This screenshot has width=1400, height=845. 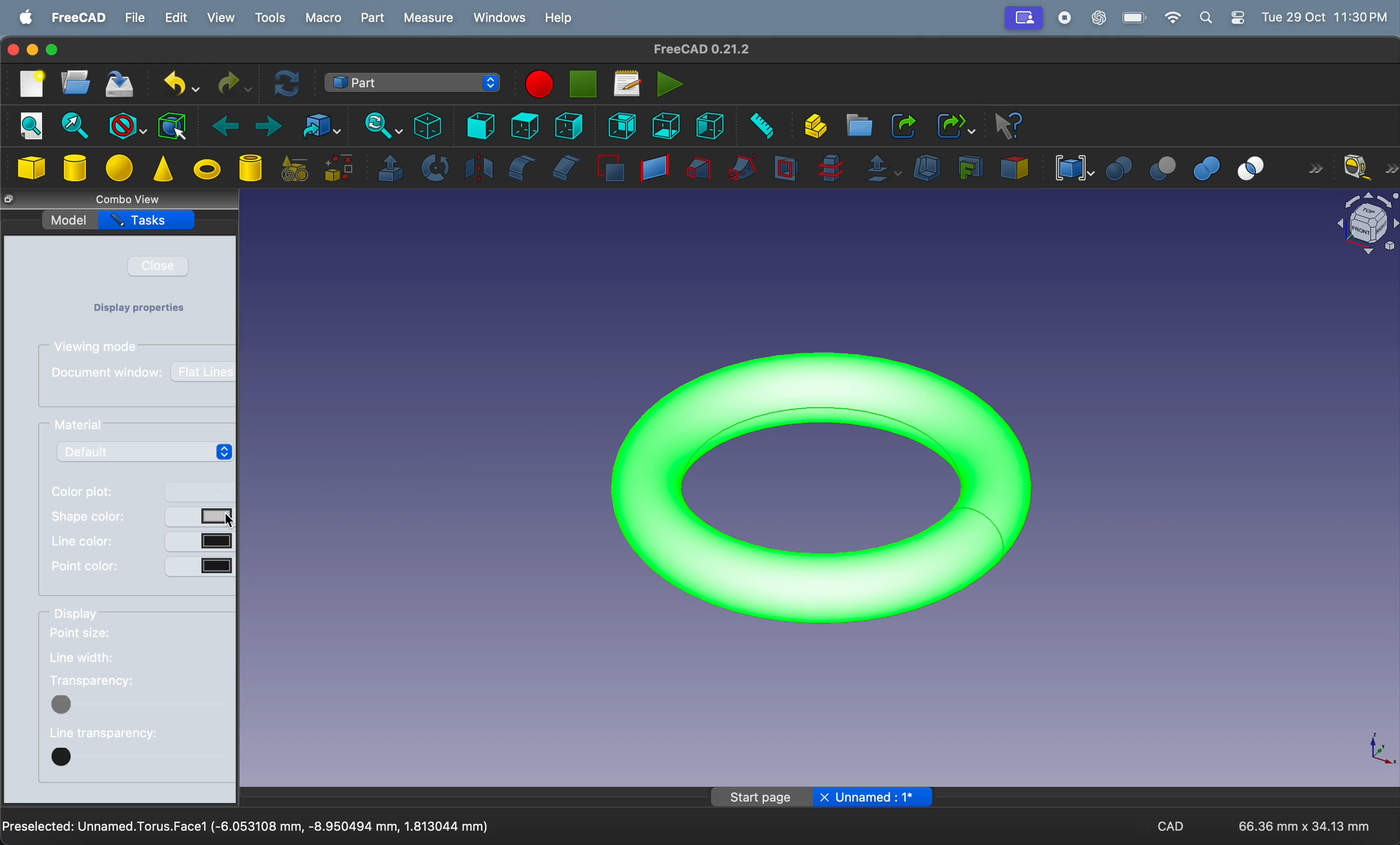 I want to click on right view, so click(x=568, y=126).